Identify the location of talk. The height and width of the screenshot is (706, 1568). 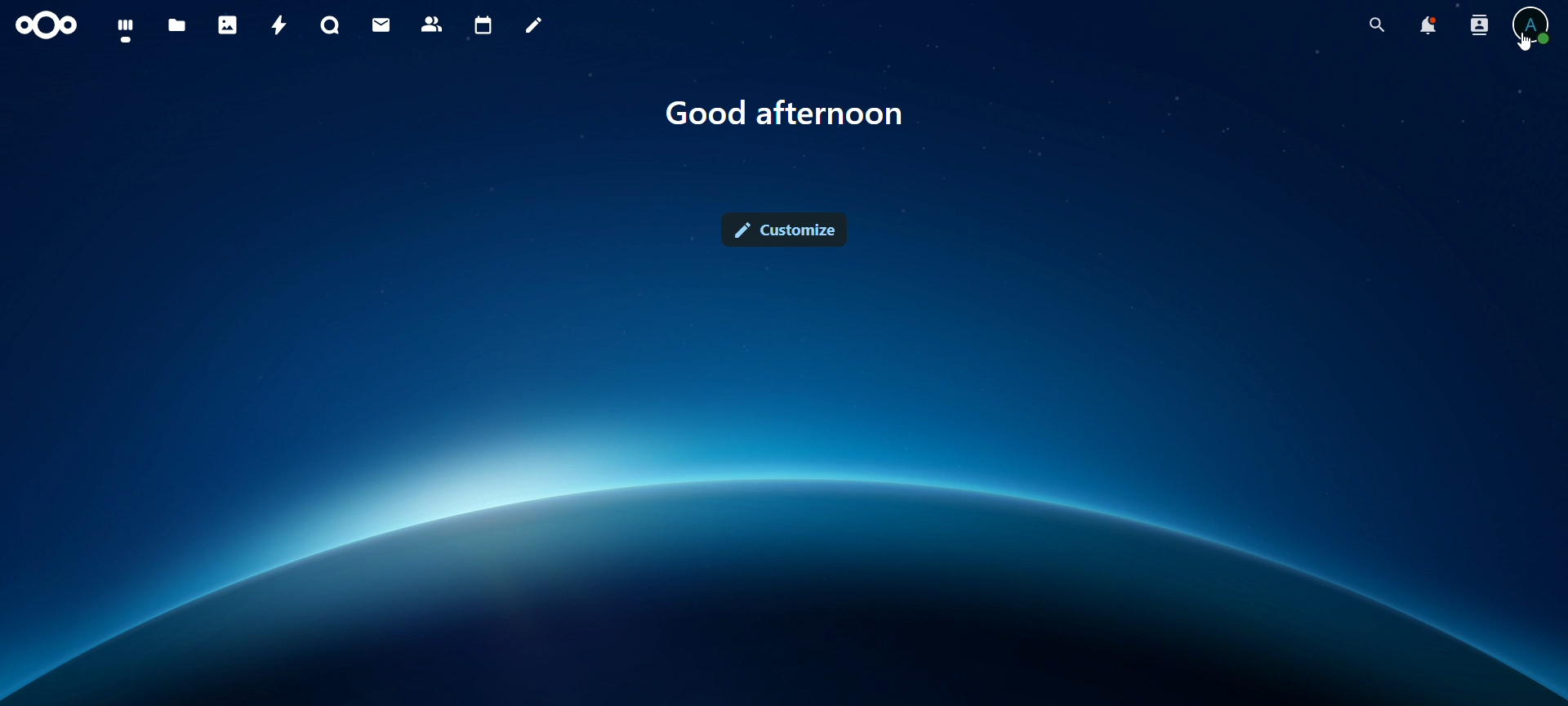
(330, 24).